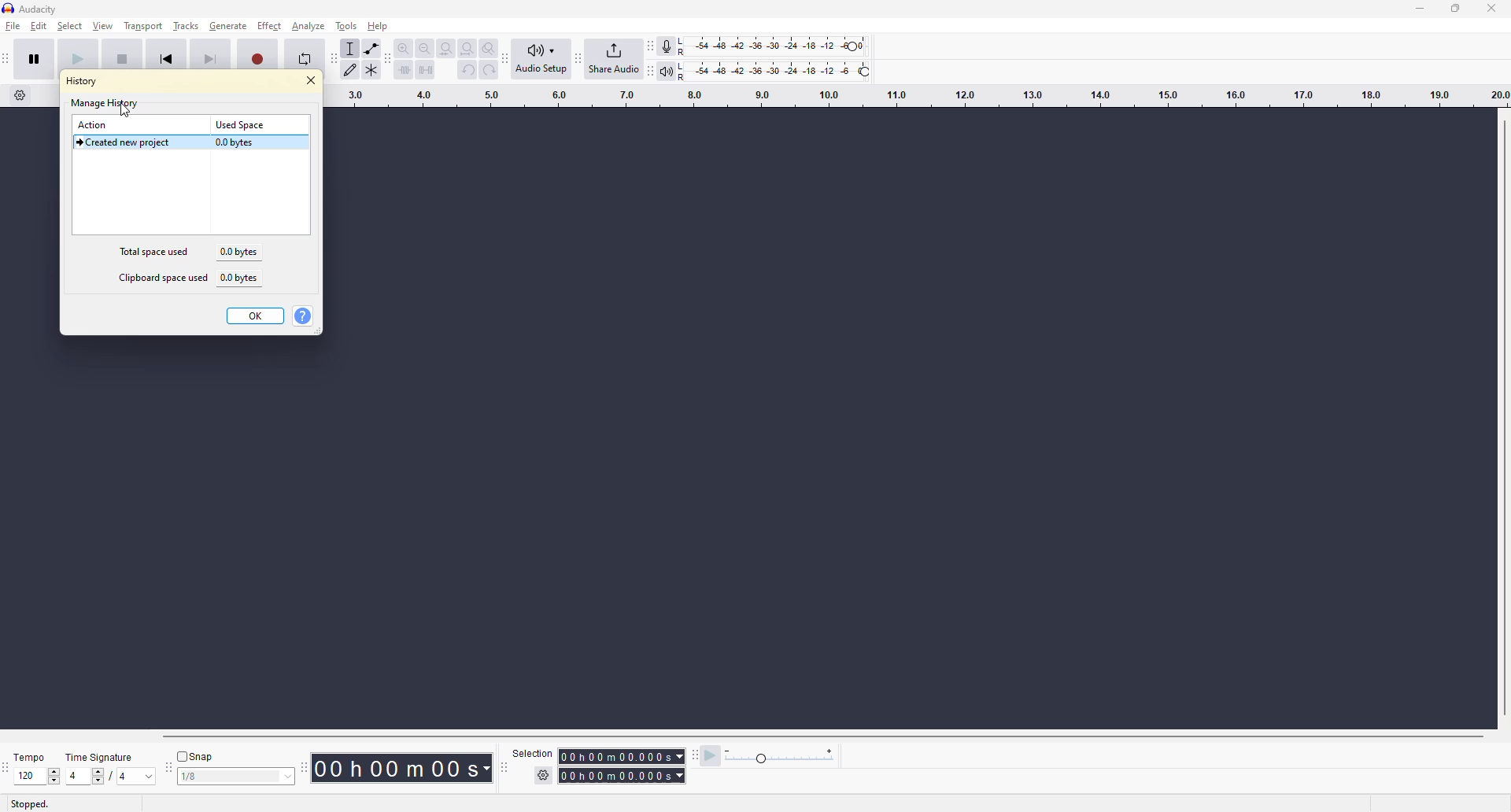 The width and height of the screenshot is (1511, 812). What do you see at coordinates (104, 28) in the screenshot?
I see `view` at bounding box center [104, 28].